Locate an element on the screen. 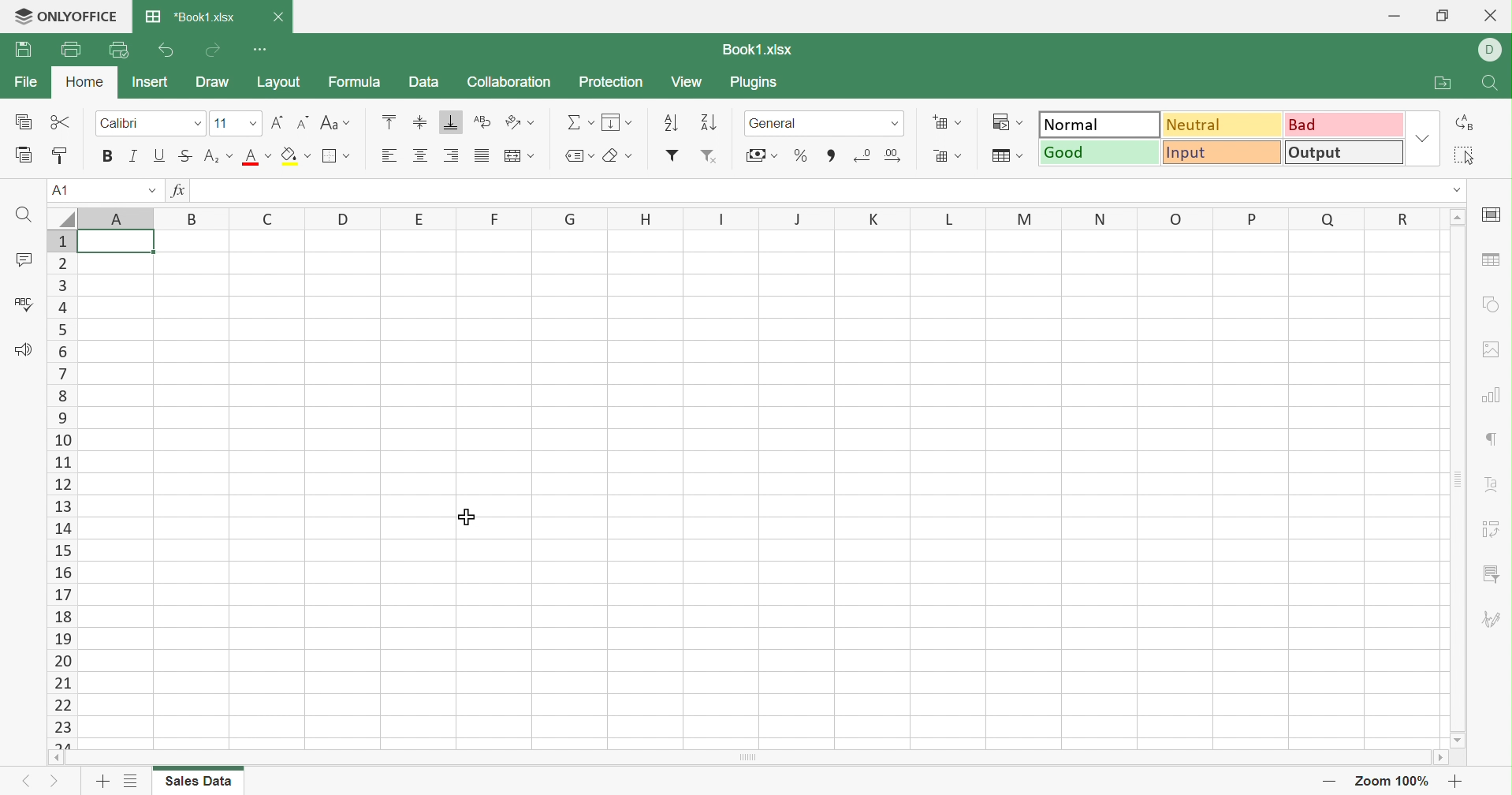 This screenshot has width=1512, height=795. Feedback & Support is located at coordinates (24, 349).